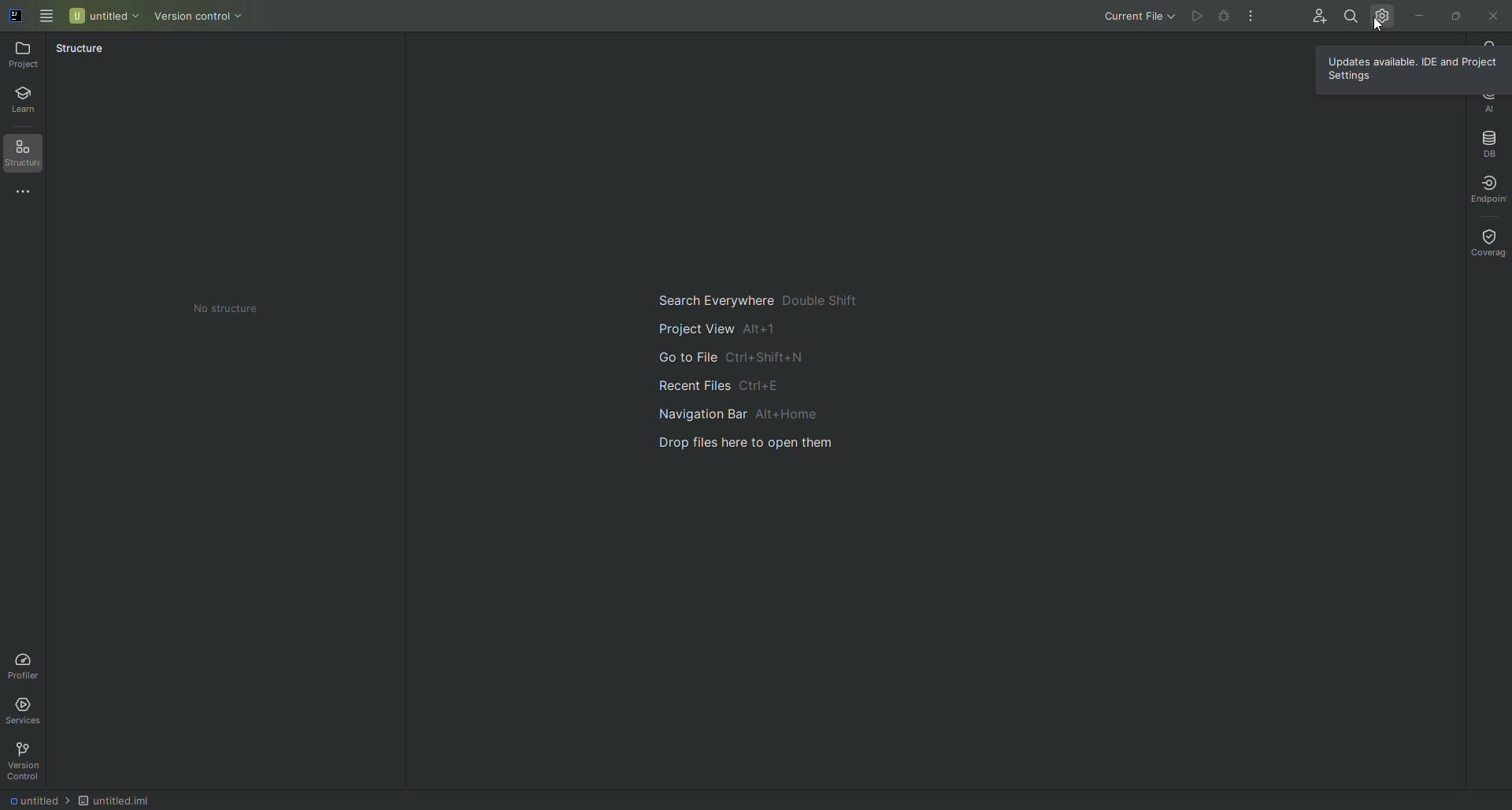 The height and width of the screenshot is (810, 1512). I want to click on Cannot run current file, so click(1199, 17).